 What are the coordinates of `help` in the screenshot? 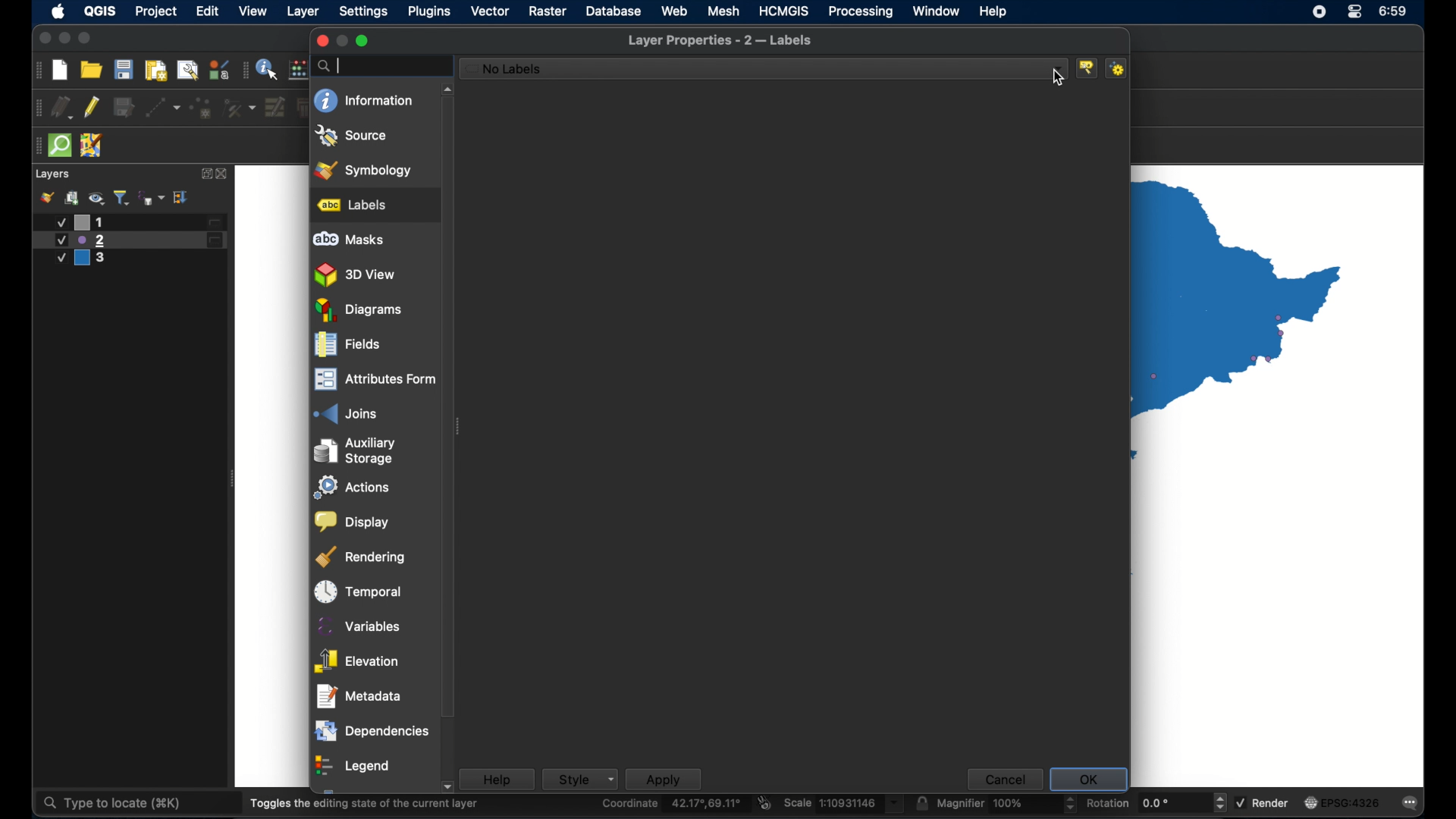 It's located at (994, 11).